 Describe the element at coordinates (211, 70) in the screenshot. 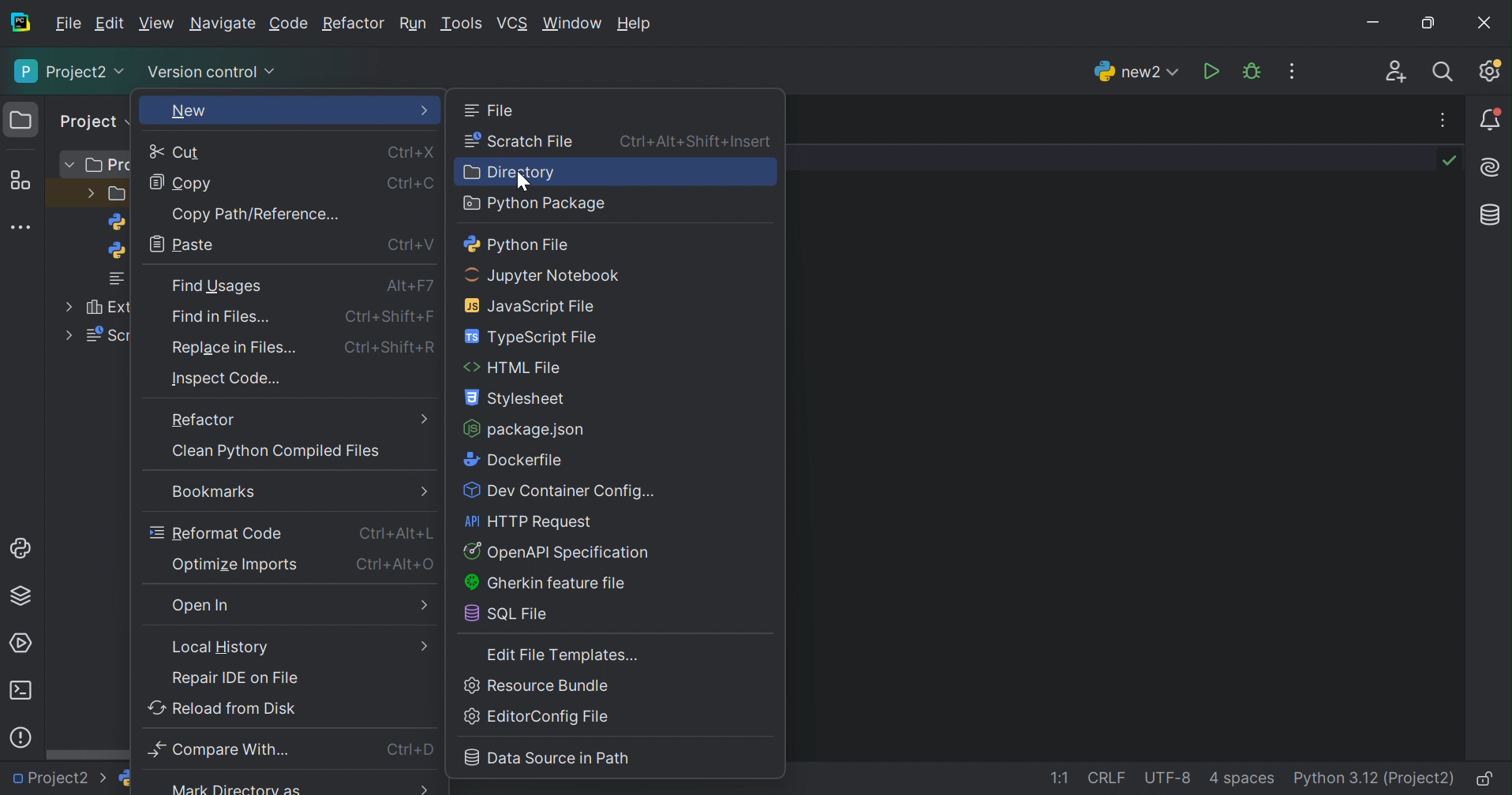

I see `Version control` at that location.